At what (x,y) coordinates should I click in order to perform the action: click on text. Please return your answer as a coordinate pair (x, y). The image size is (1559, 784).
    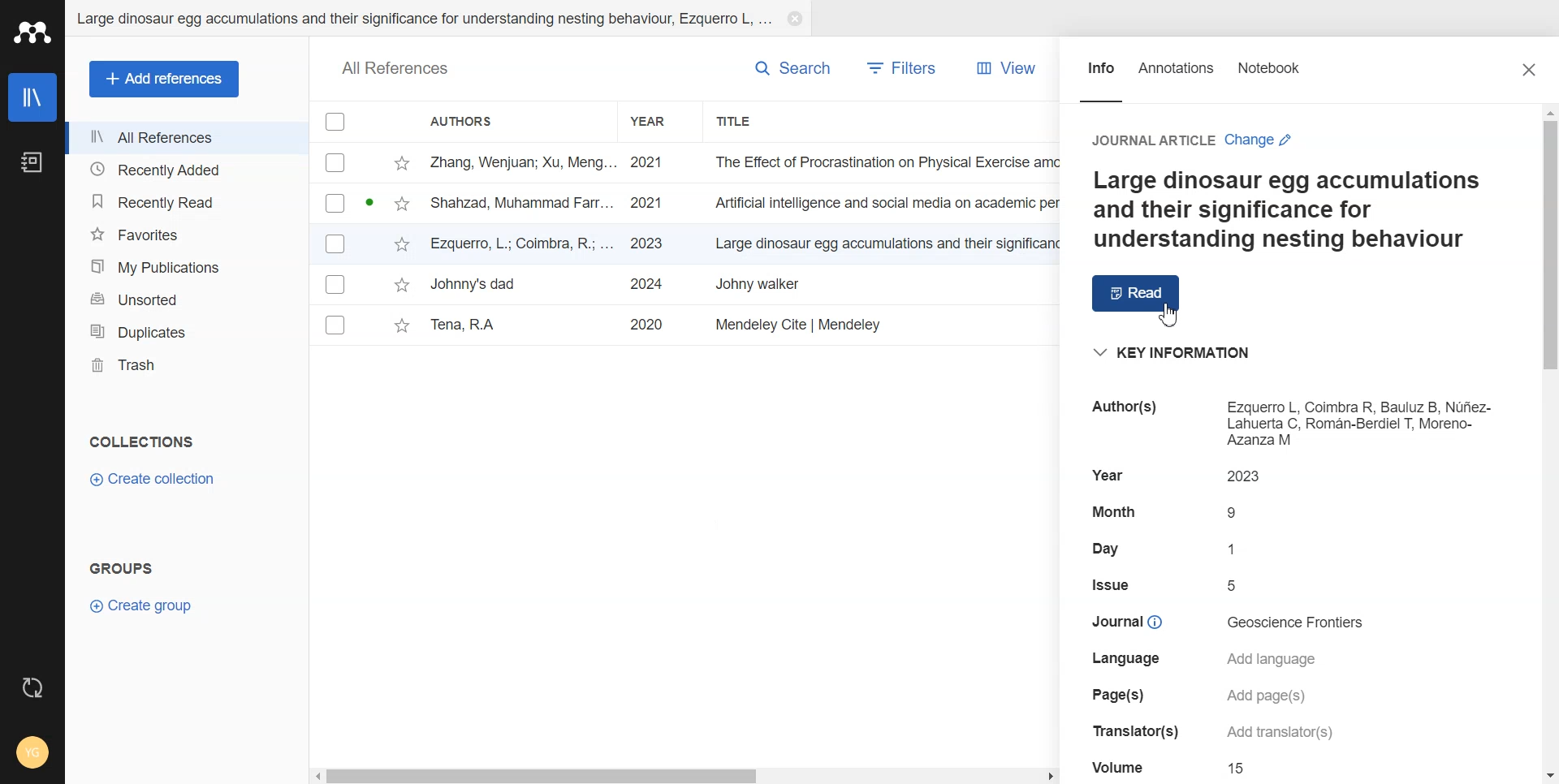
    Looking at the image, I should click on (1276, 658).